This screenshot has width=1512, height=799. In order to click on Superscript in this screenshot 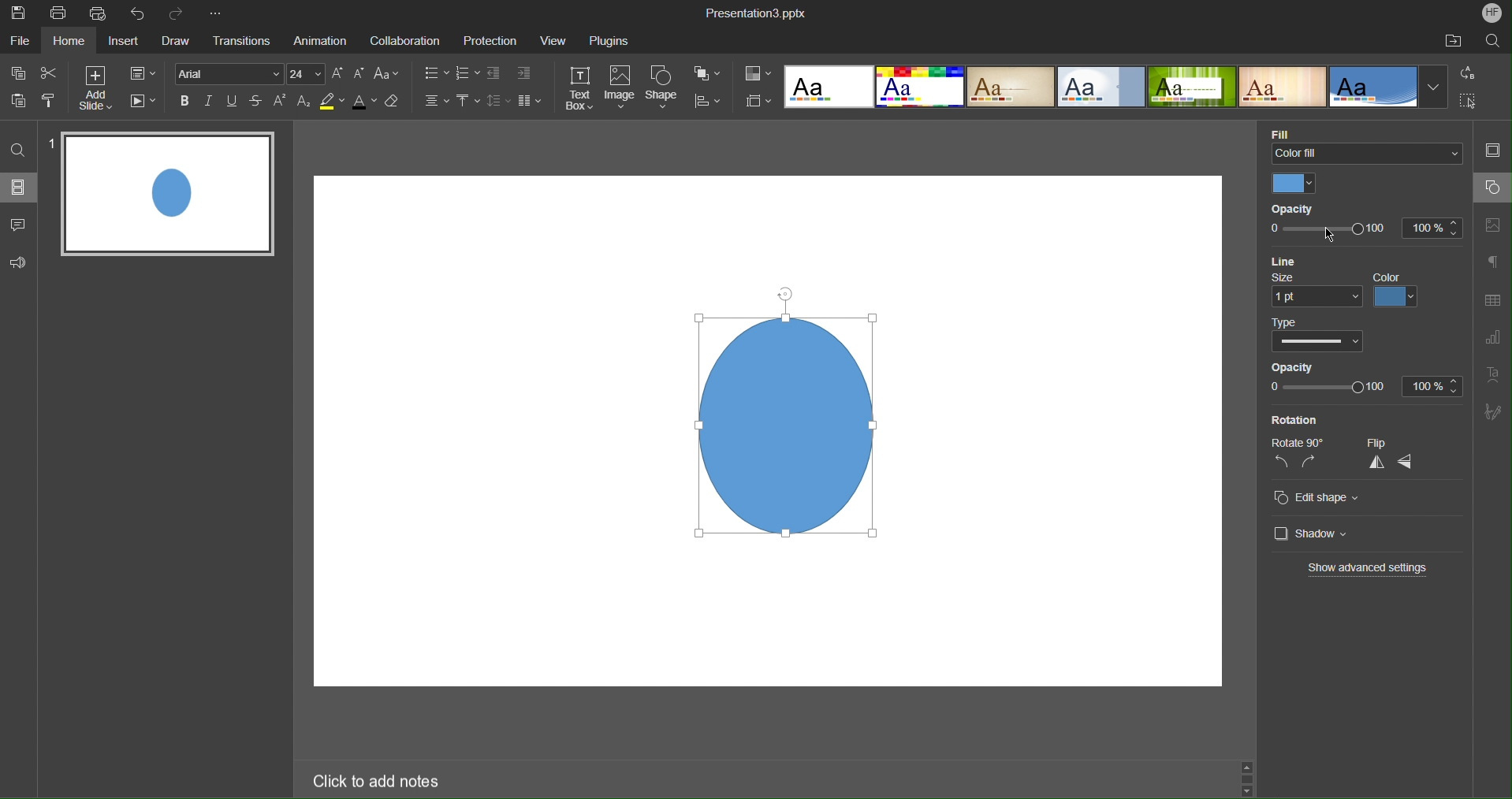, I will do `click(280, 103)`.